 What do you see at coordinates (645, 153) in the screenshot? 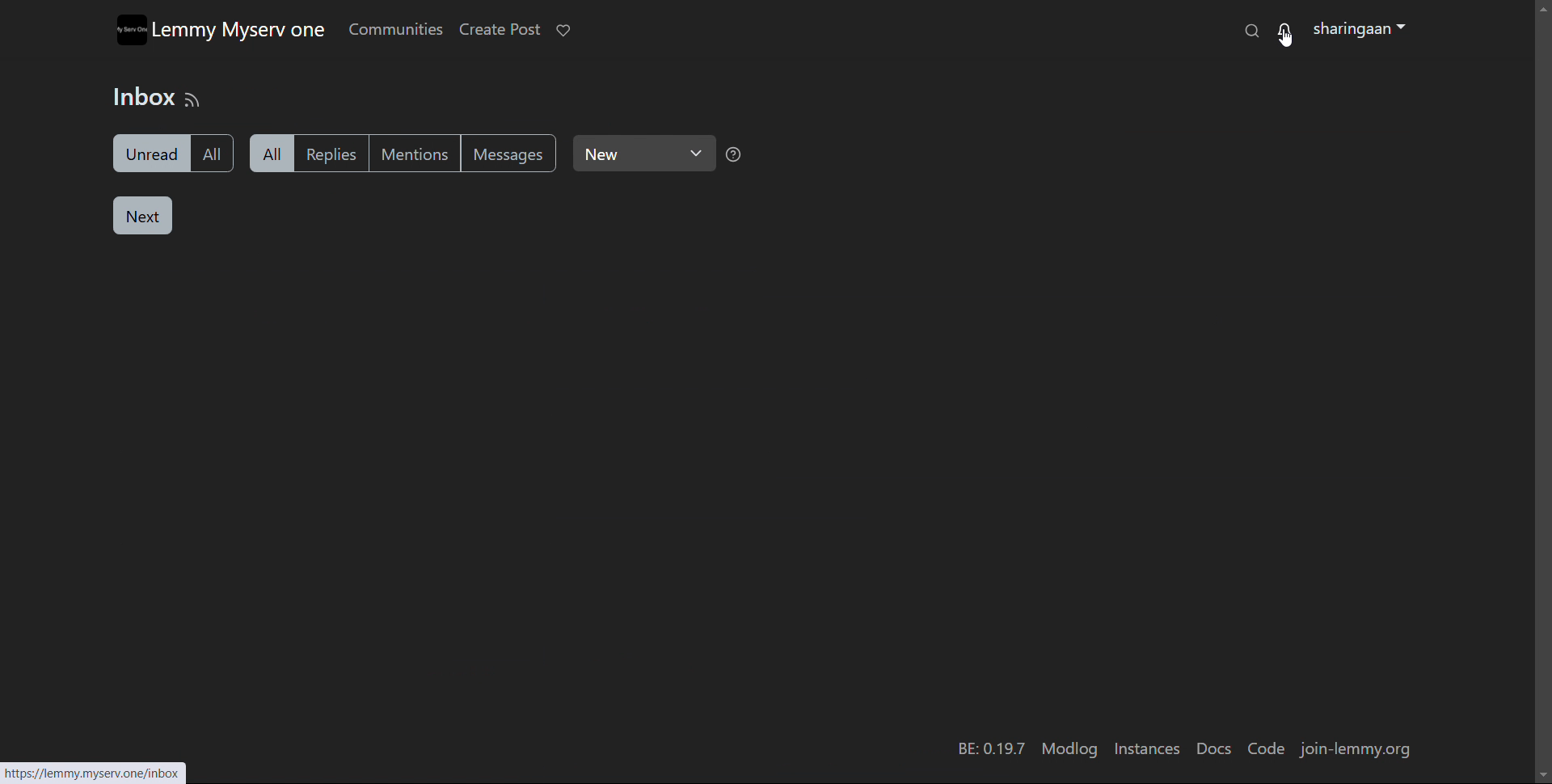
I see `(New)select relevance` at bounding box center [645, 153].